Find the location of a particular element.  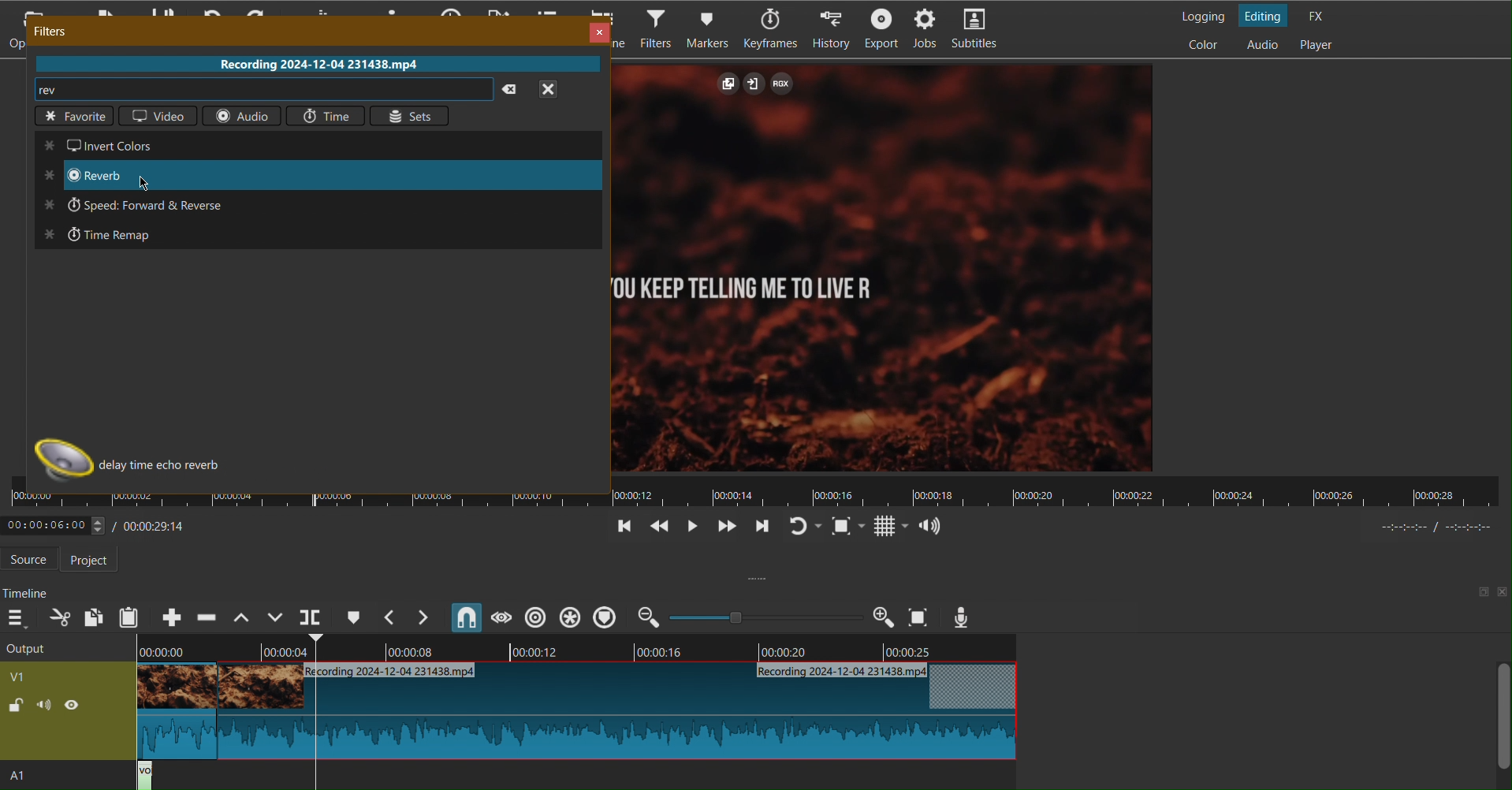

Timeline is located at coordinates (27, 593).